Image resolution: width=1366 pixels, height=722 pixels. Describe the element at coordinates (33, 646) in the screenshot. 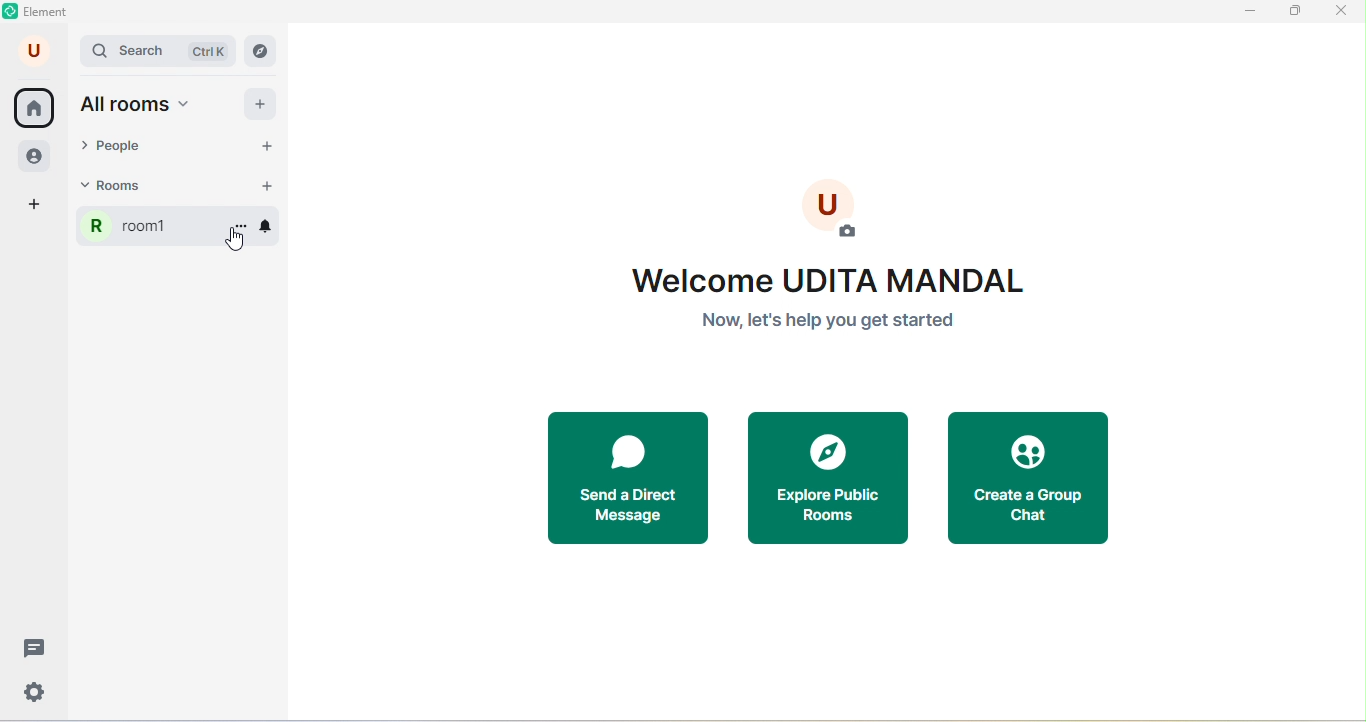

I see `threads` at that location.